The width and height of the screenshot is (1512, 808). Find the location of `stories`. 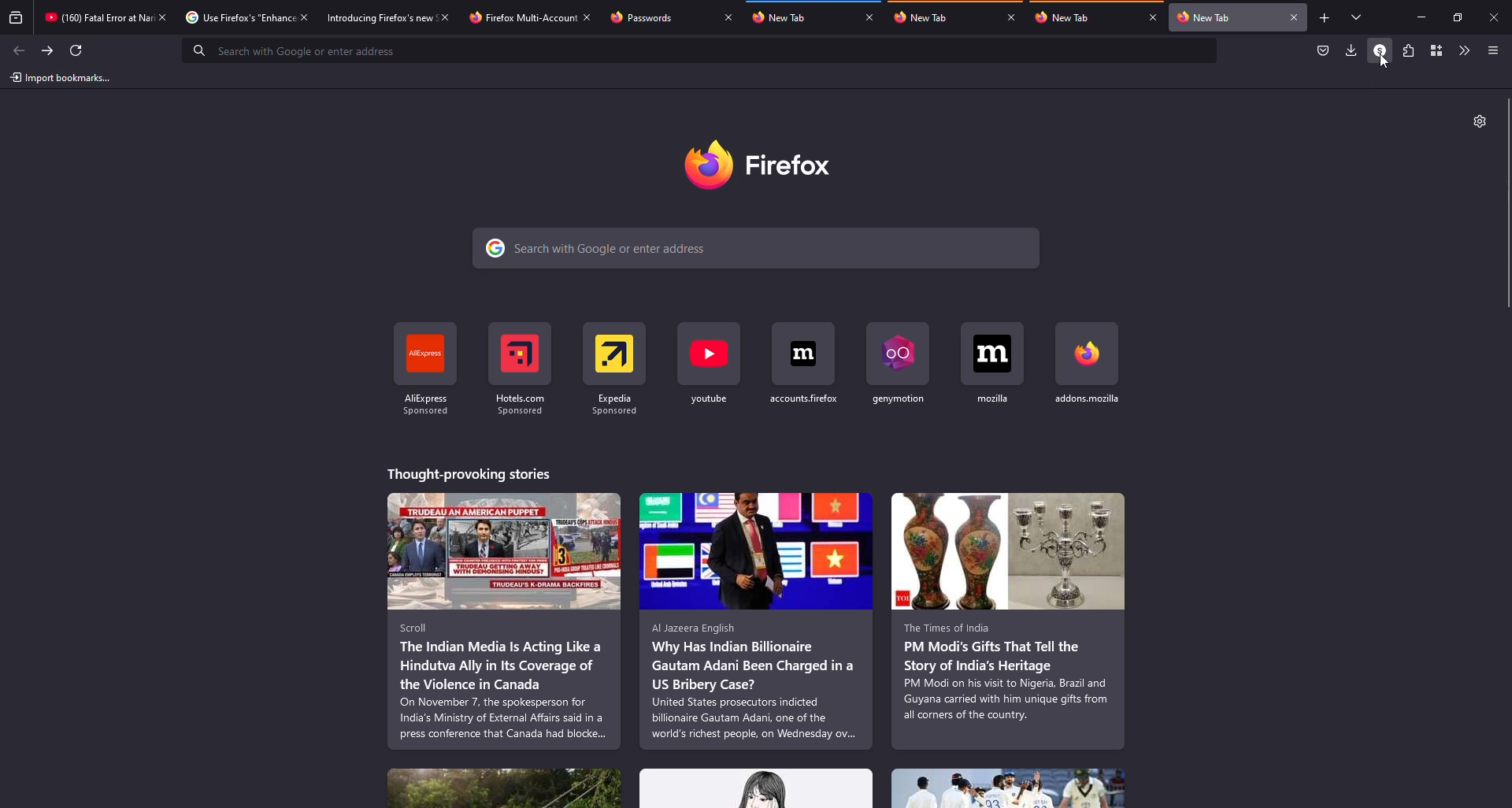

stories is located at coordinates (1011, 788).